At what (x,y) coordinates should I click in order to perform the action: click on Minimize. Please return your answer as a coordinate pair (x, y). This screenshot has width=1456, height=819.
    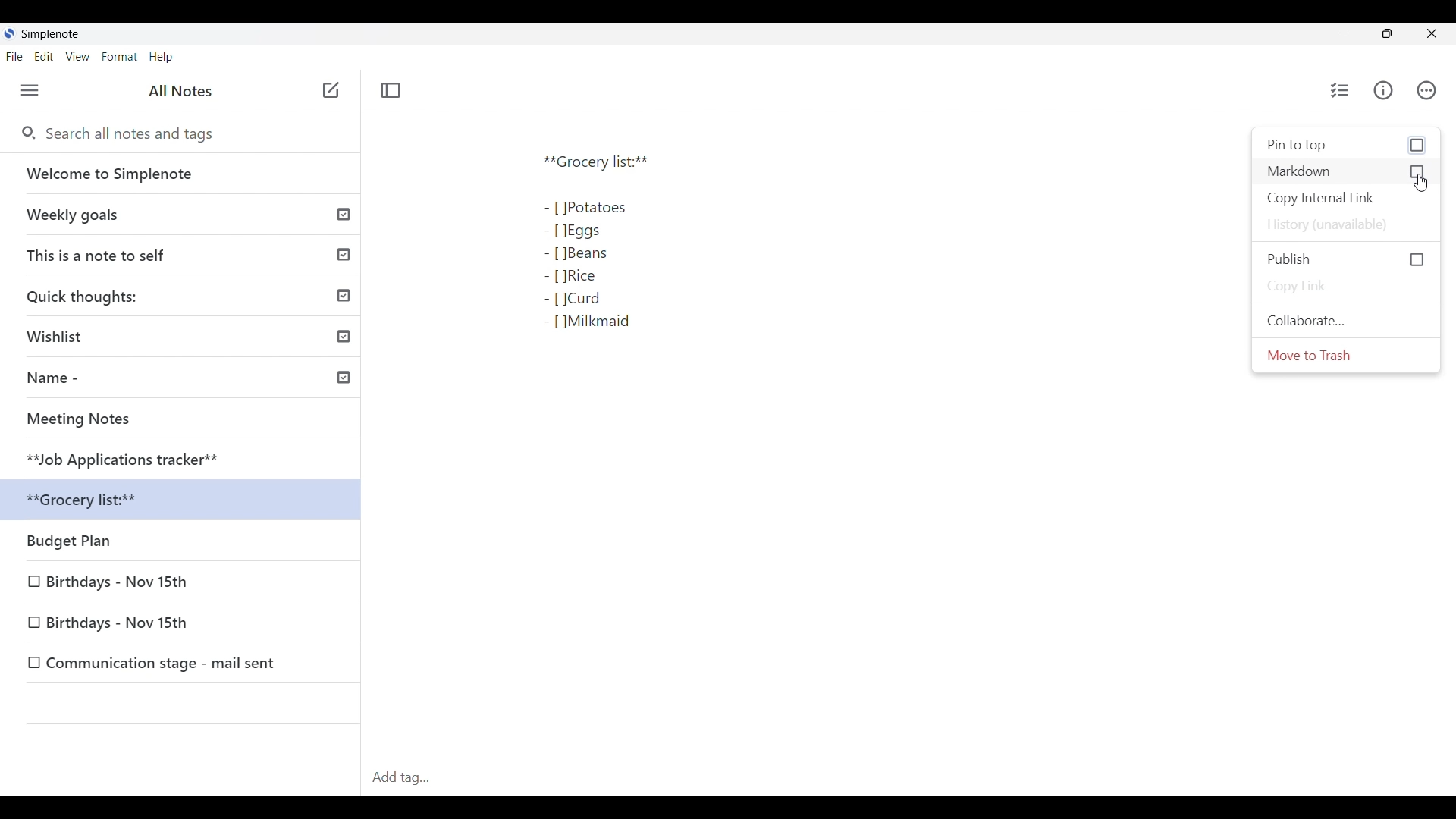
    Looking at the image, I should click on (1339, 33).